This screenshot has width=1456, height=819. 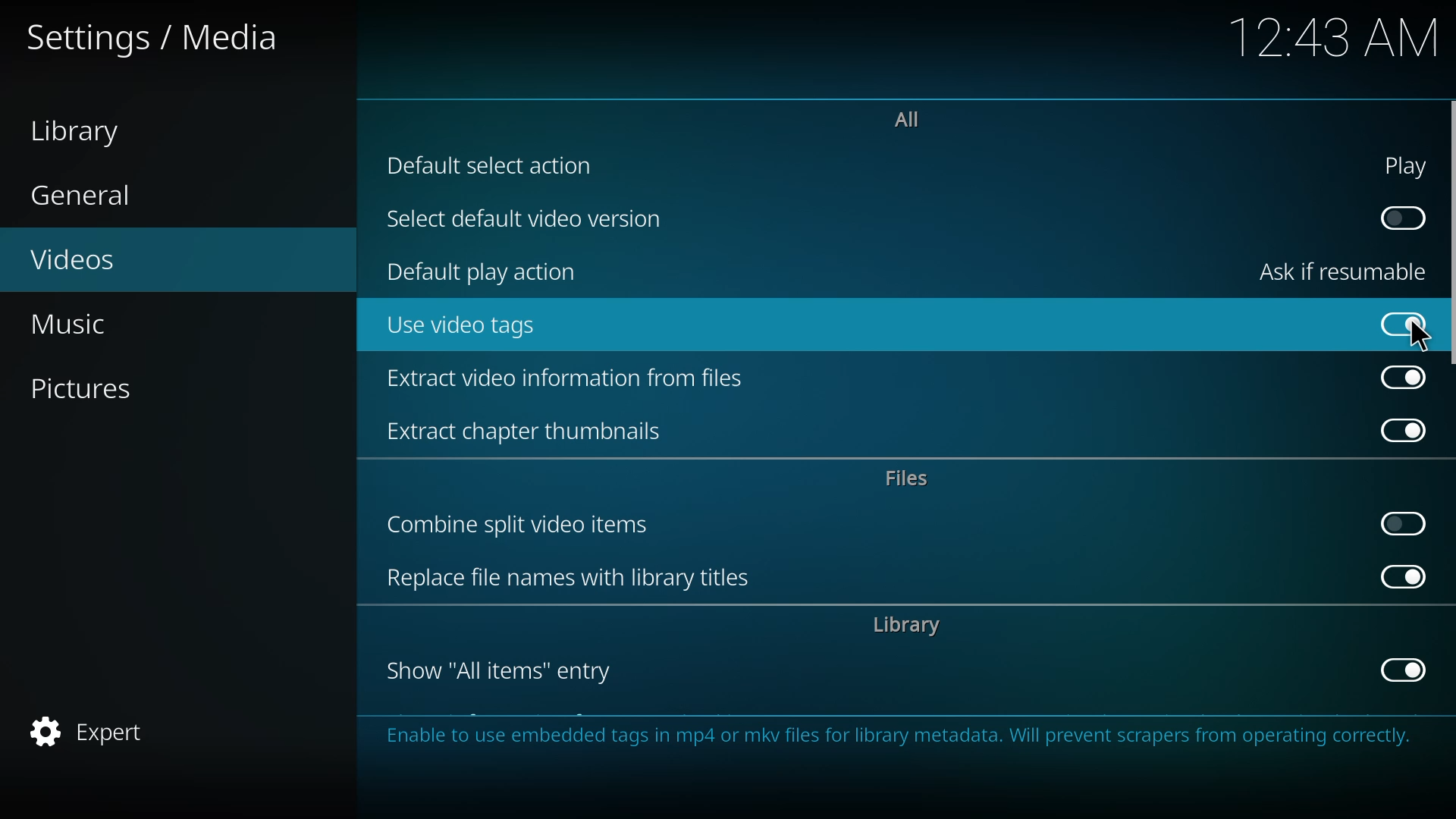 I want to click on music, so click(x=80, y=326).